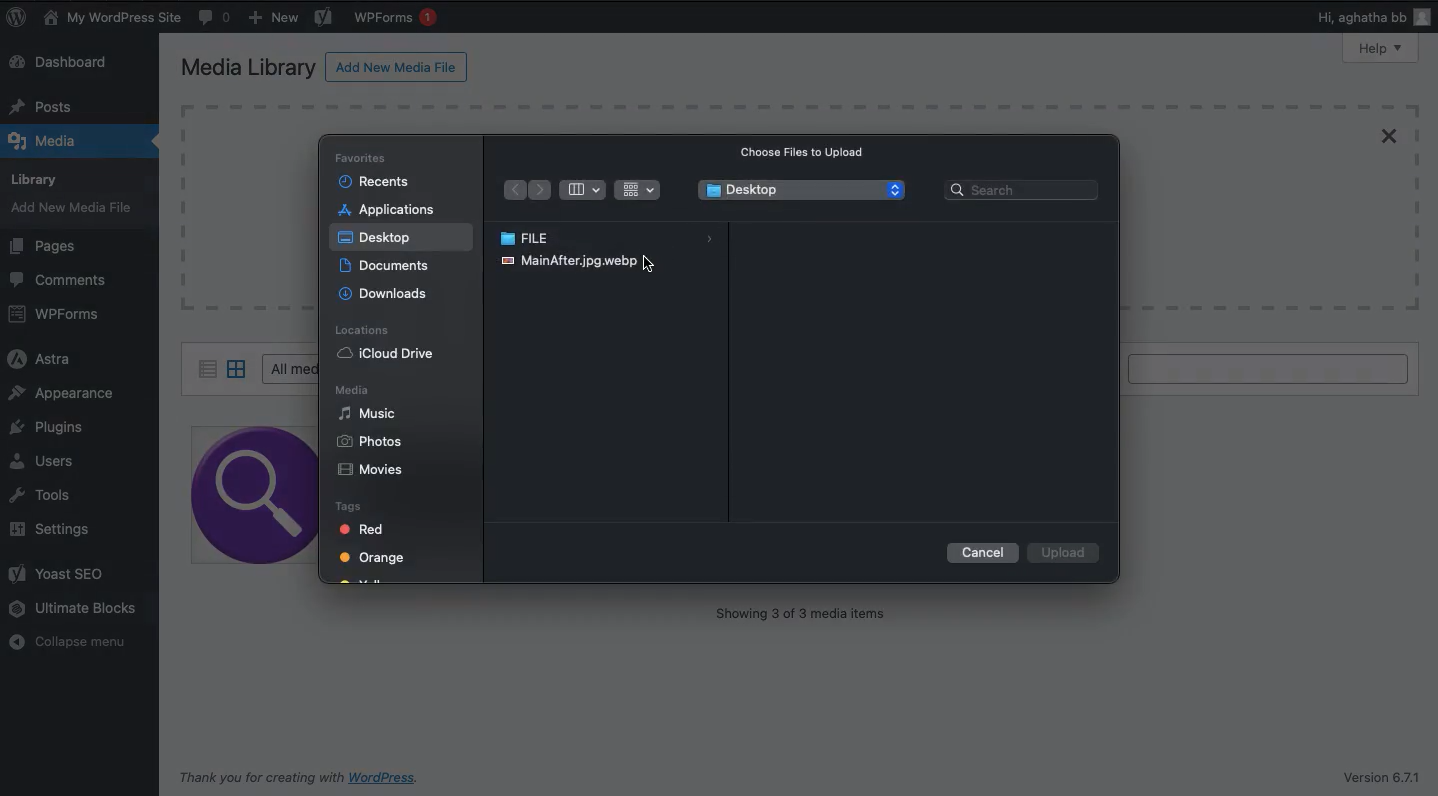  Describe the element at coordinates (368, 330) in the screenshot. I see `Locations` at that location.